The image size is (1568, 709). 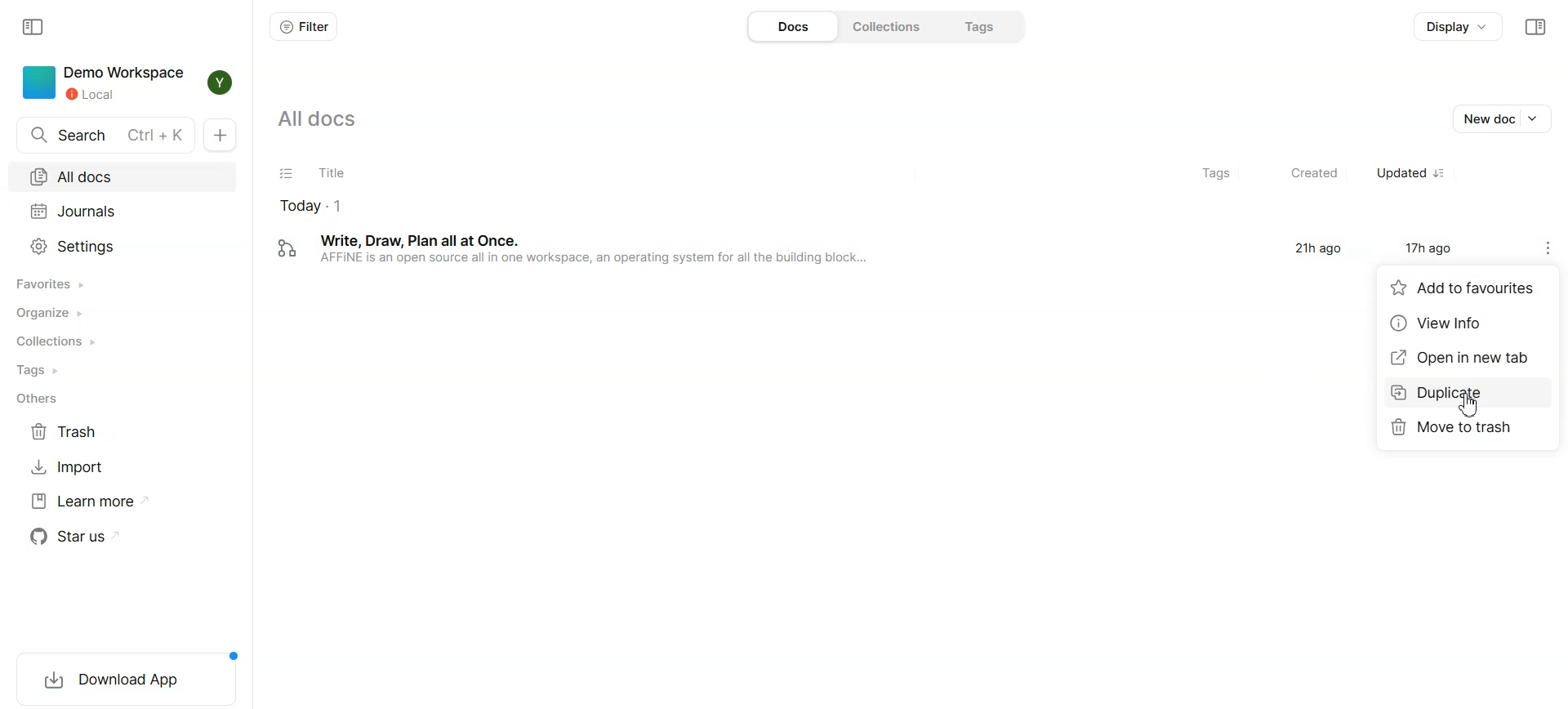 What do you see at coordinates (1469, 428) in the screenshot?
I see `Move to trash` at bounding box center [1469, 428].